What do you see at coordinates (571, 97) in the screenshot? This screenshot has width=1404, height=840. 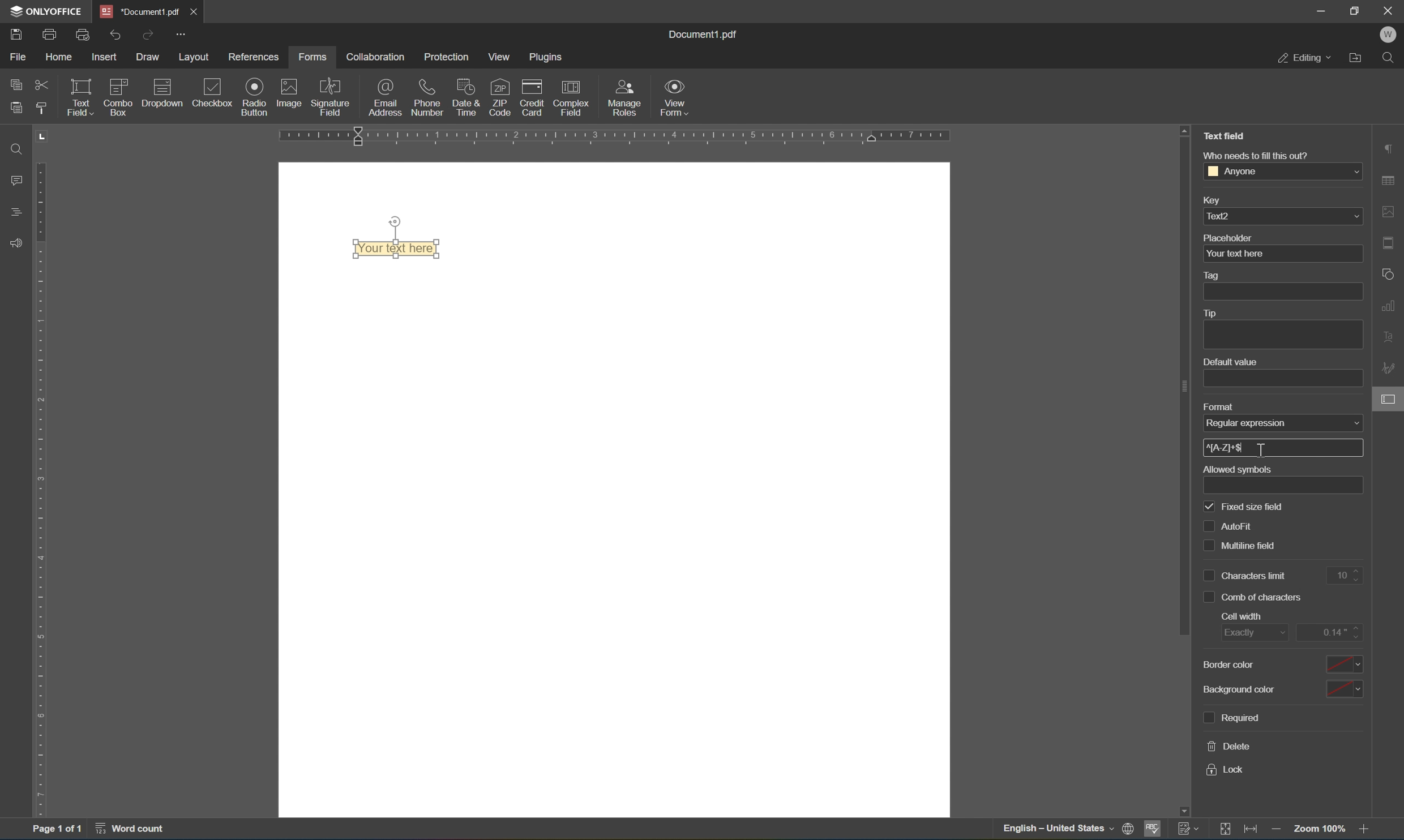 I see `complex field` at bounding box center [571, 97].